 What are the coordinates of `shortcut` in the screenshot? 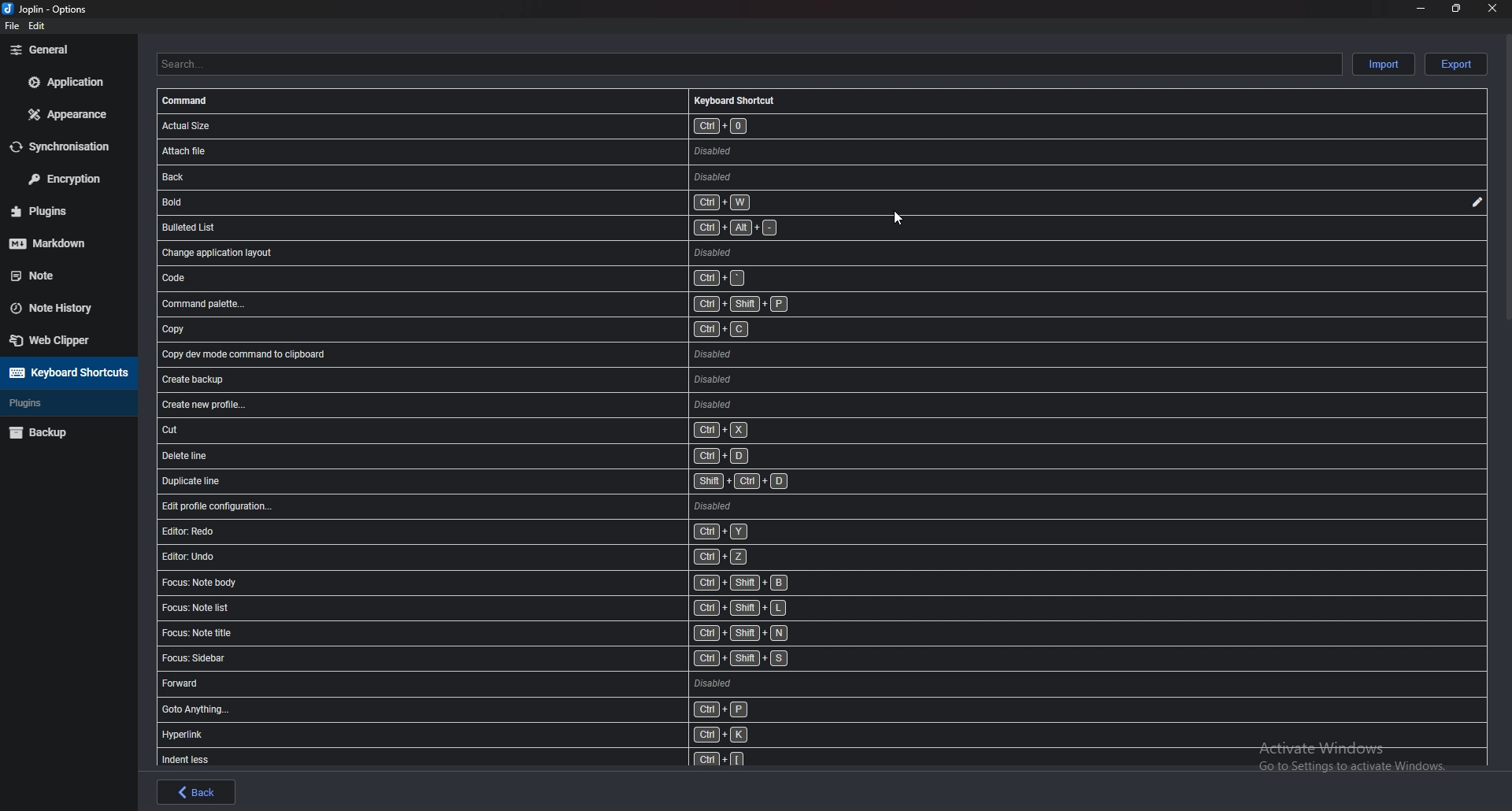 It's located at (526, 509).